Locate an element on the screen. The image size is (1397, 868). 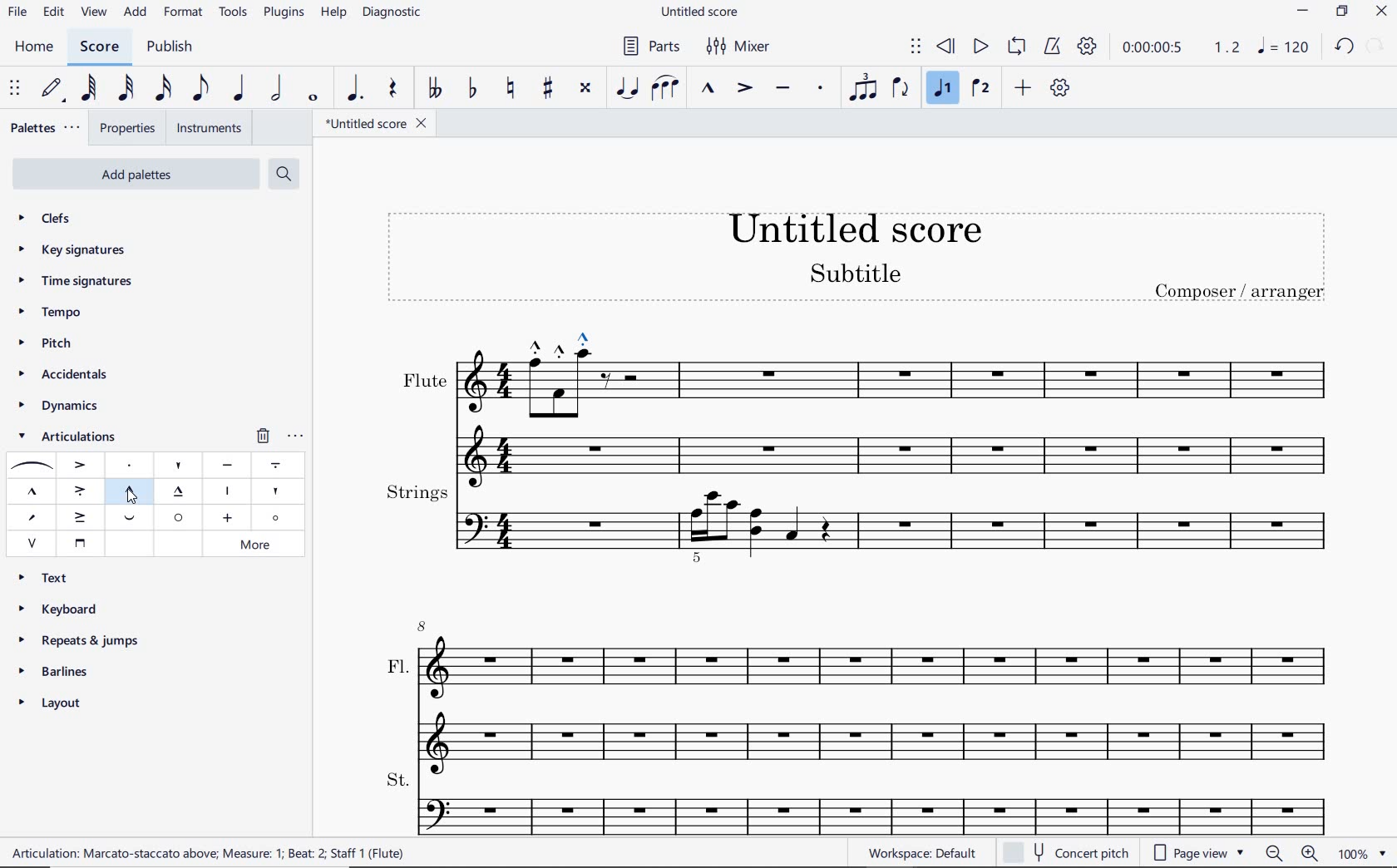
title is located at coordinates (861, 263).